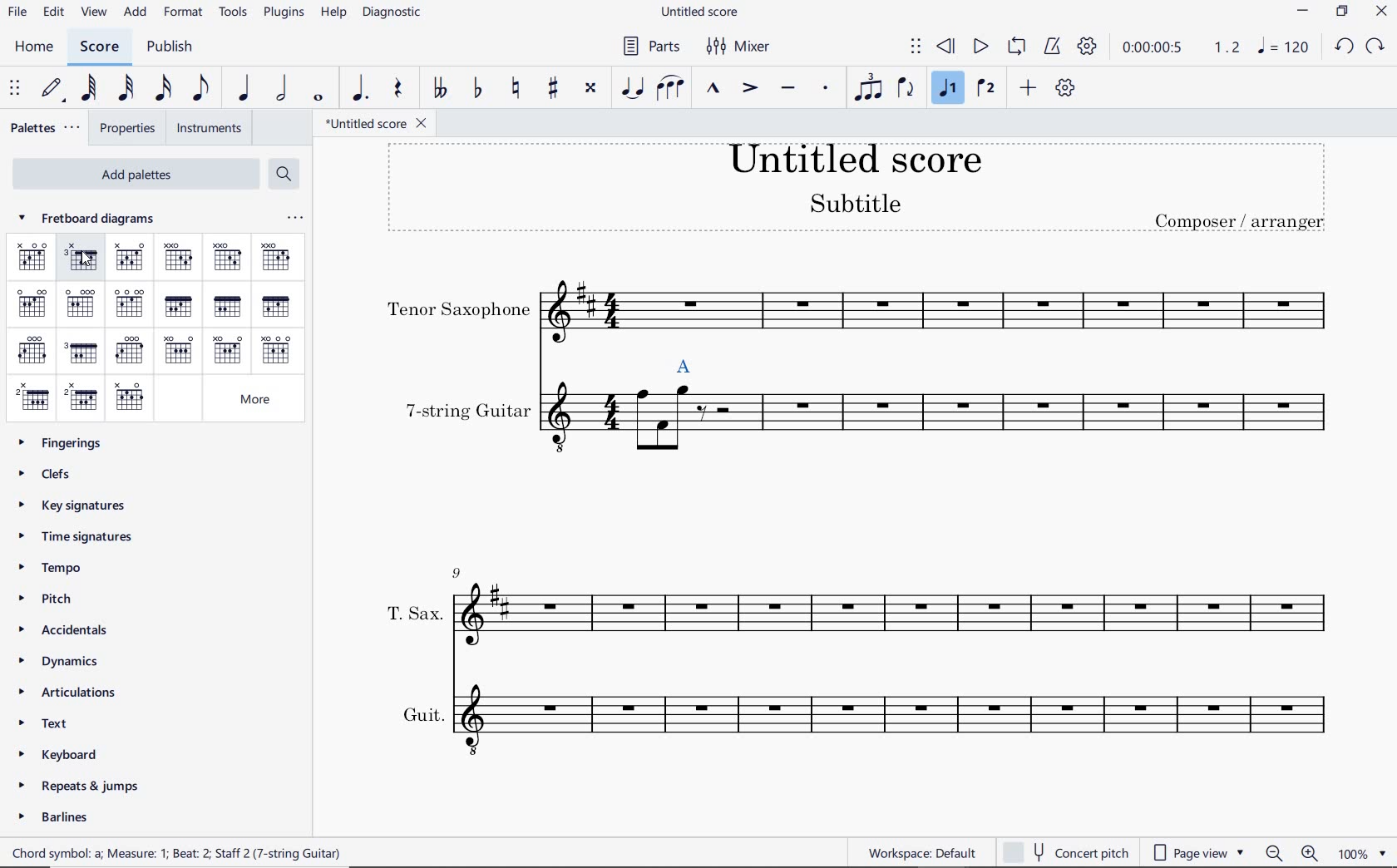 The height and width of the screenshot is (868, 1397). I want to click on METRONOME, so click(1052, 47).